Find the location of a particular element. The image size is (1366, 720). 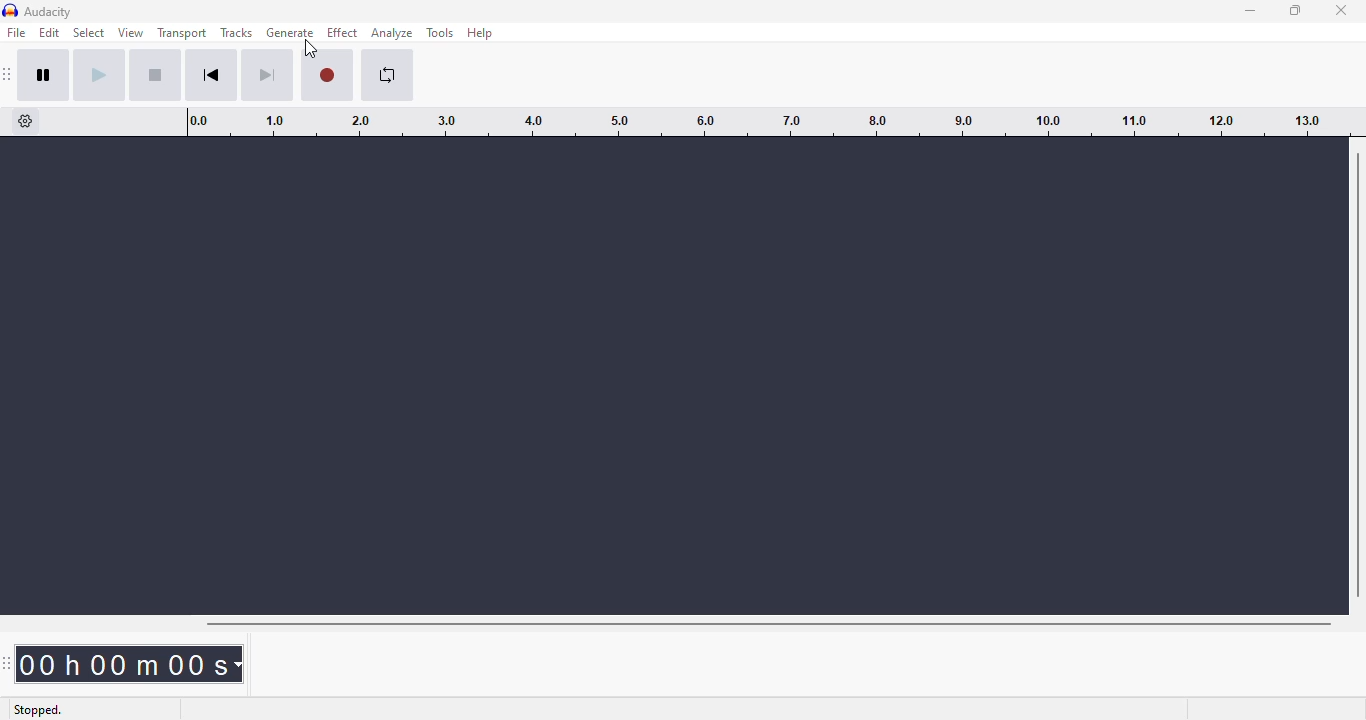

vertical scroll bar is located at coordinates (1358, 371).